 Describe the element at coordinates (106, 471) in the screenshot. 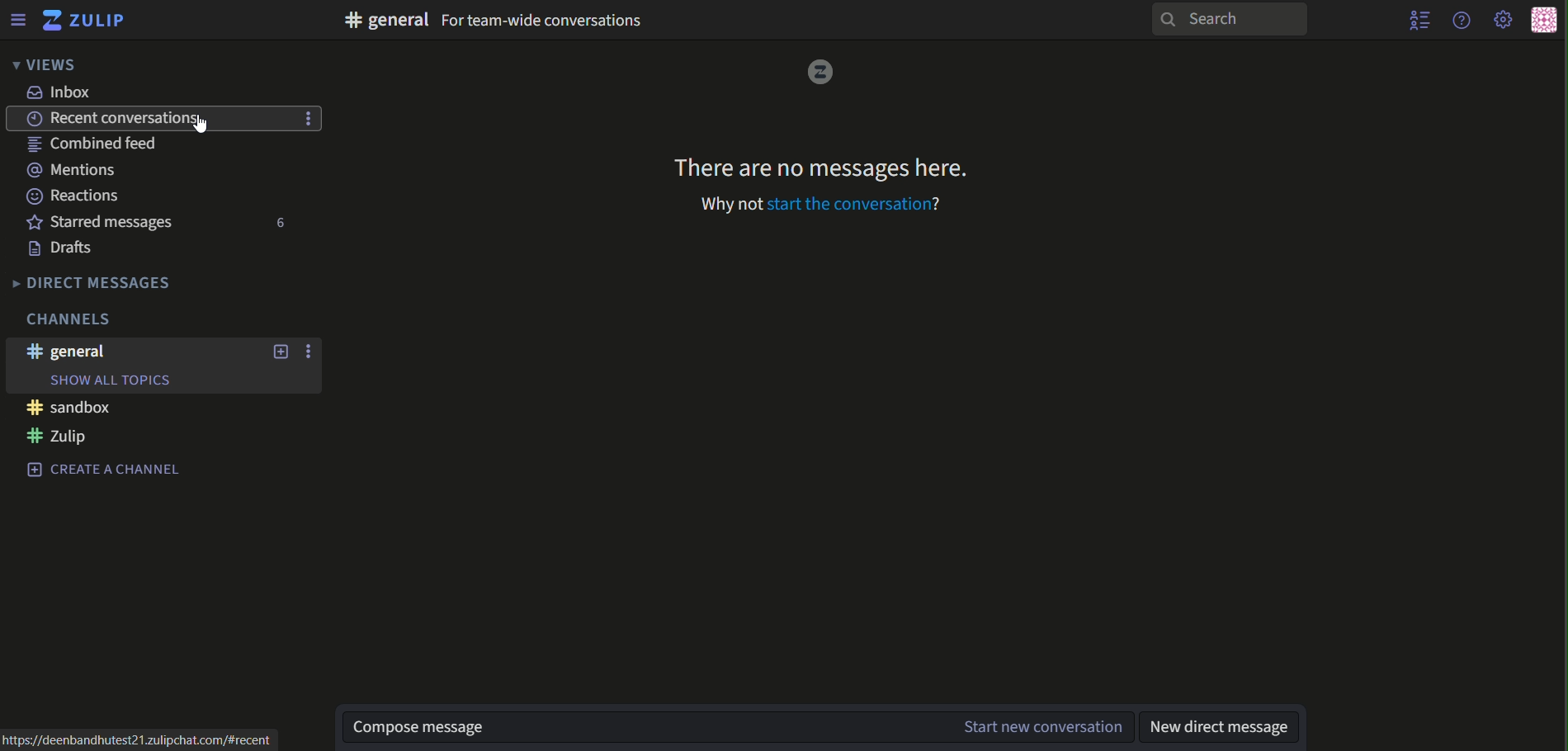

I see `text` at that location.